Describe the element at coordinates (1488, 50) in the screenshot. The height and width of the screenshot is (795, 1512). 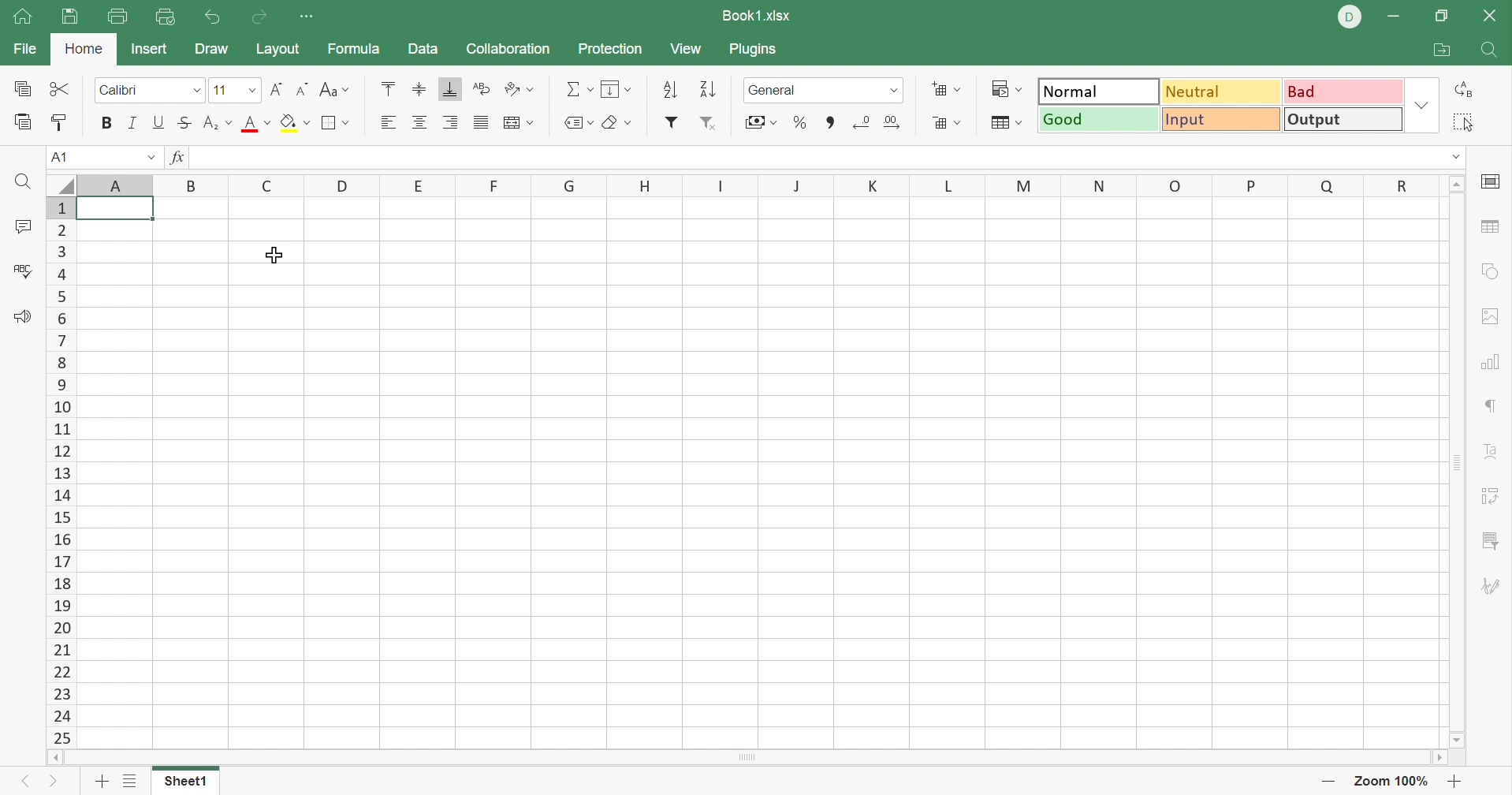
I see `Find` at that location.